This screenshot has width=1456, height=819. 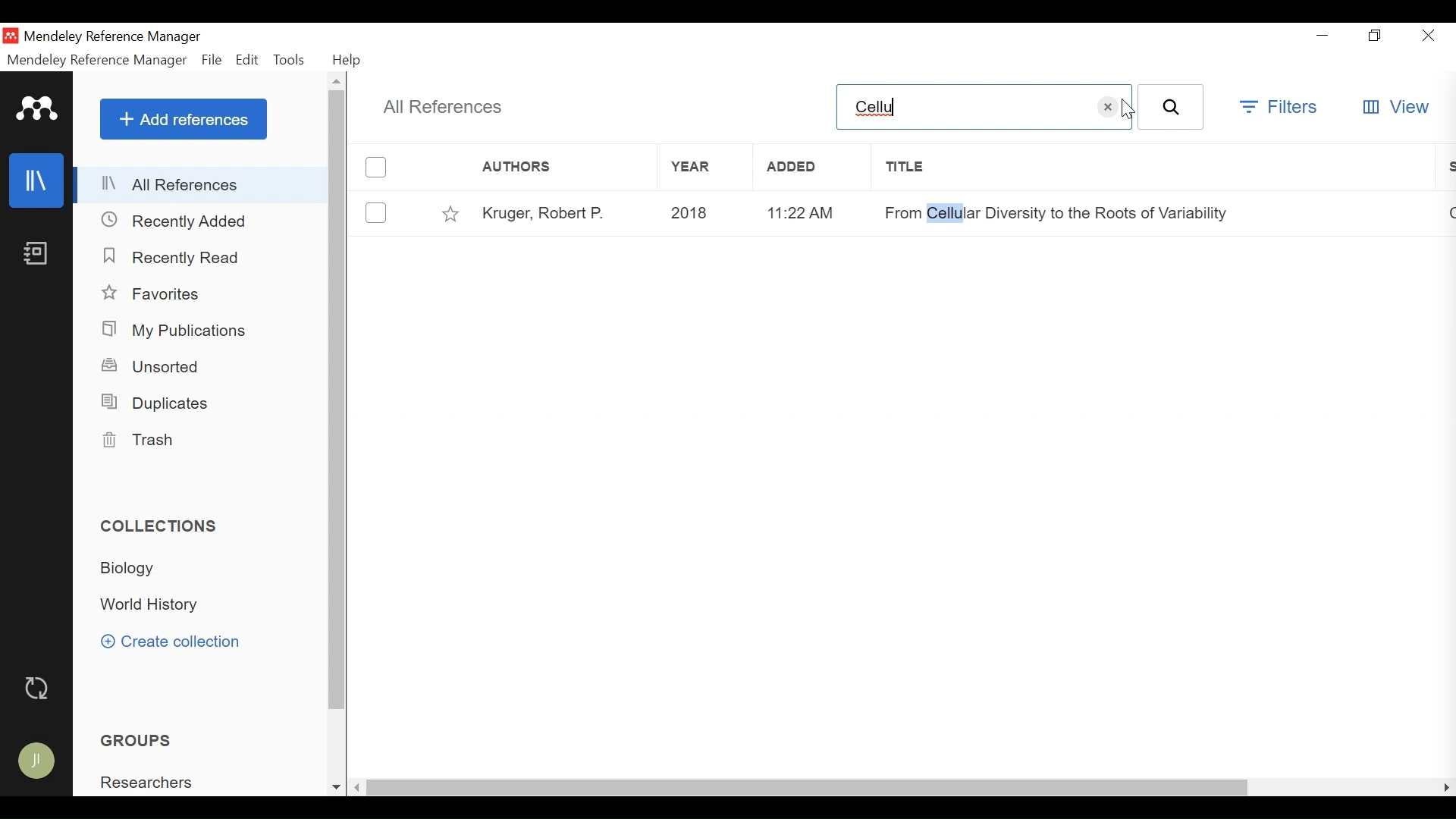 I want to click on 2018, so click(x=704, y=214).